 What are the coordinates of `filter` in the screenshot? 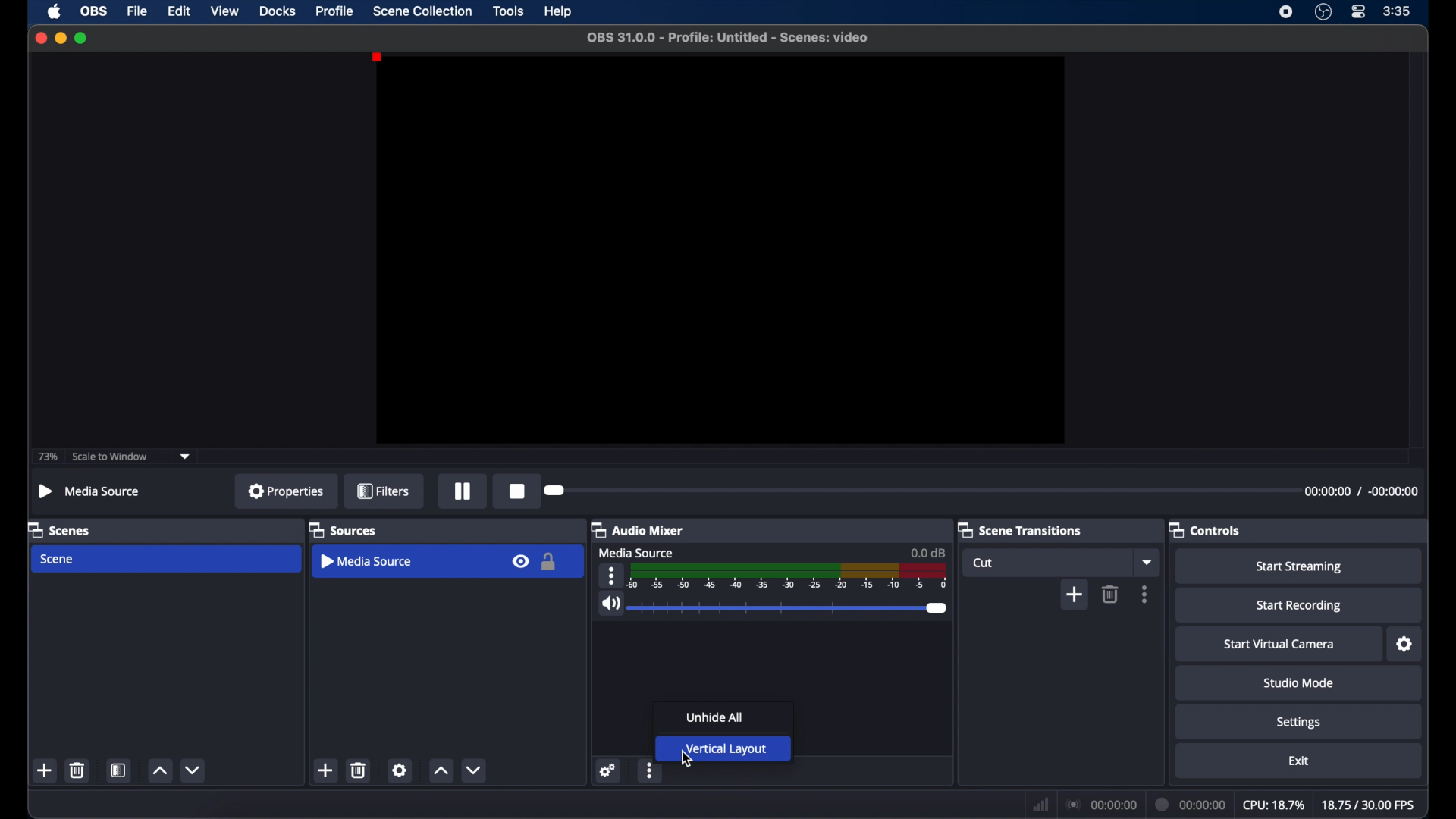 It's located at (383, 490).